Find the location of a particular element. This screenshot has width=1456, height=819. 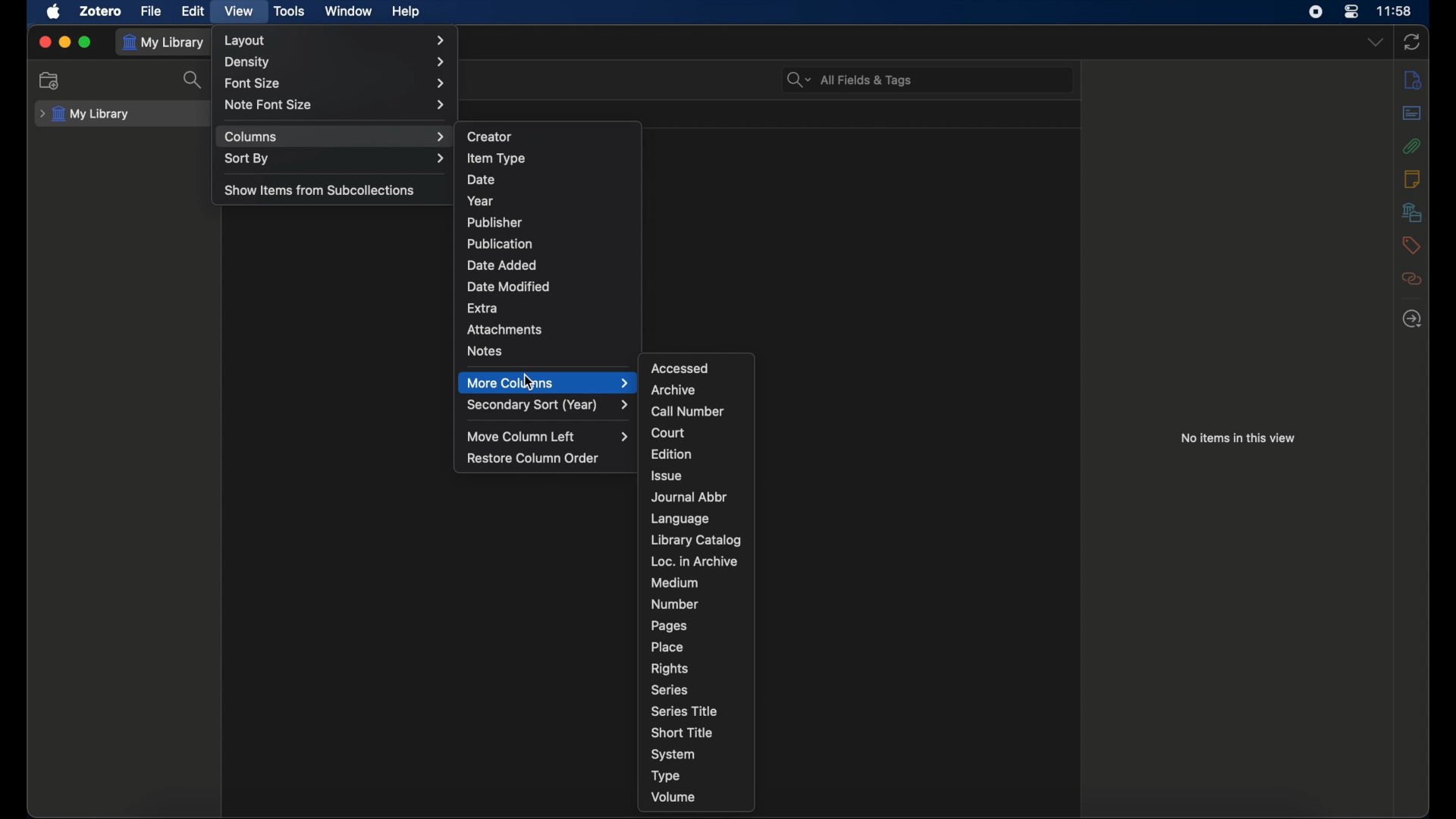

series is located at coordinates (670, 690).